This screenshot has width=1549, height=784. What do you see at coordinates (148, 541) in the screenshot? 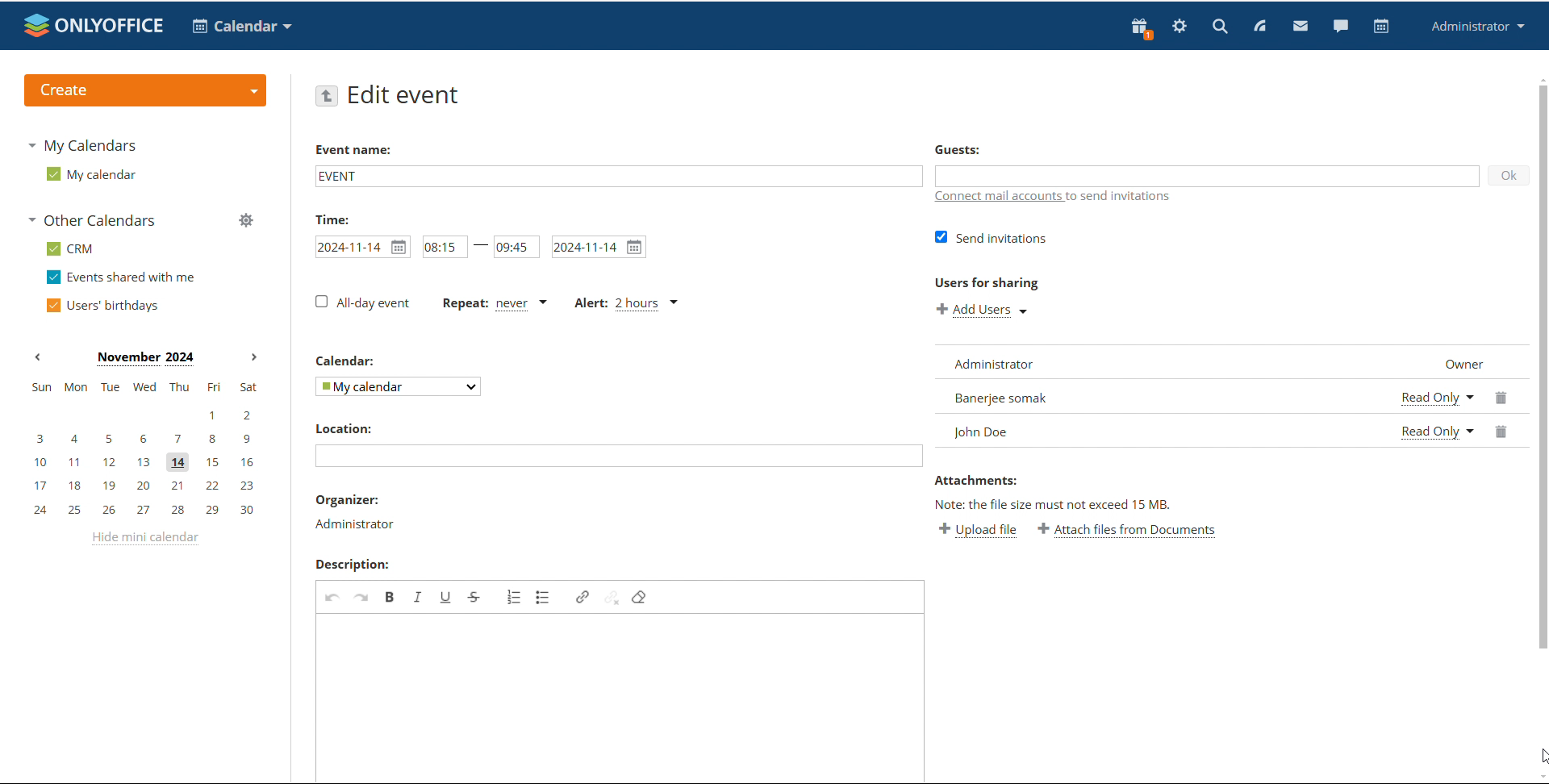
I see `hide mini calendar` at bounding box center [148, 541].